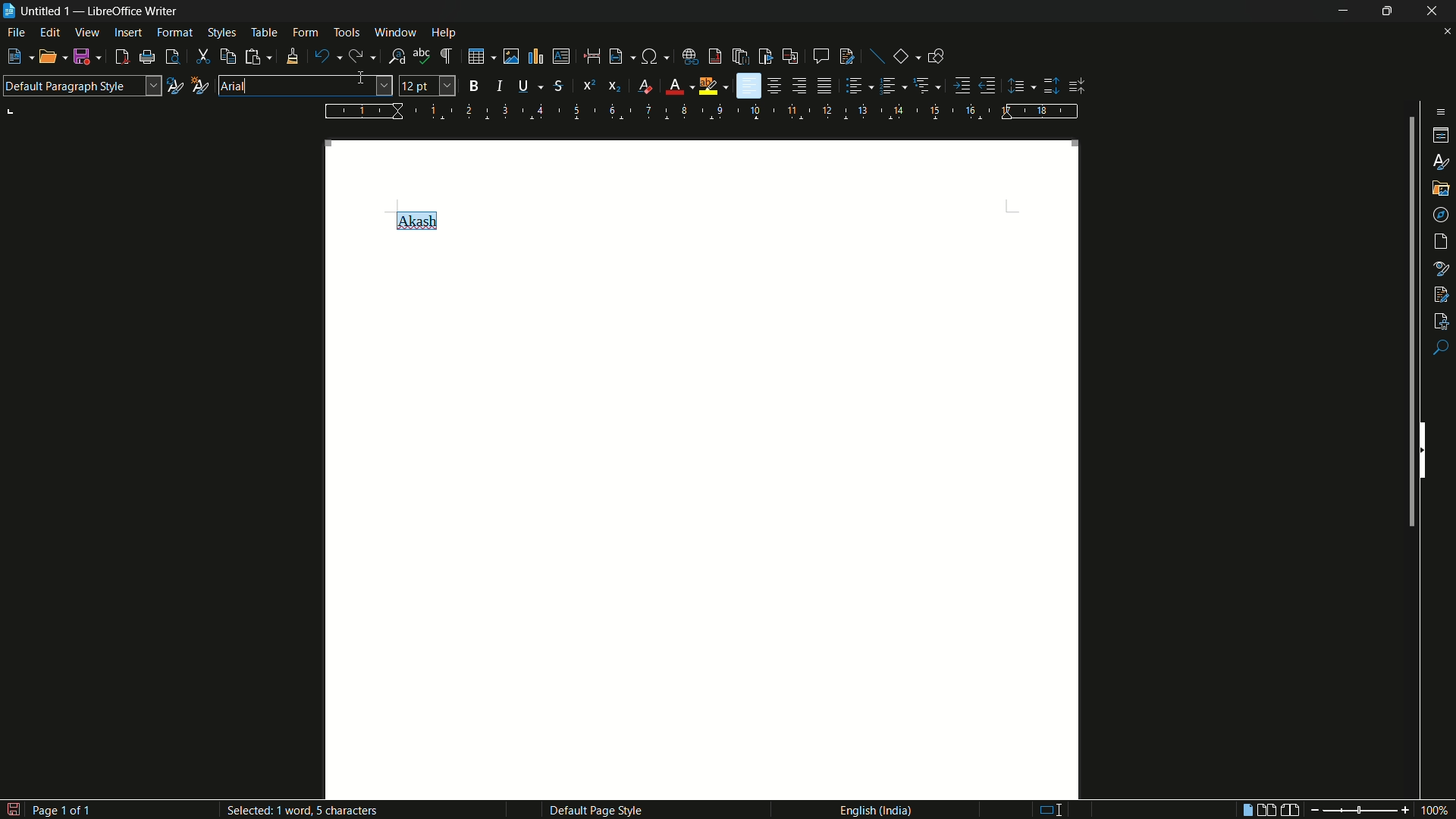  Describe the element at coordinates (902, 57) in the screenshot. I see `basic shapes` at that location.